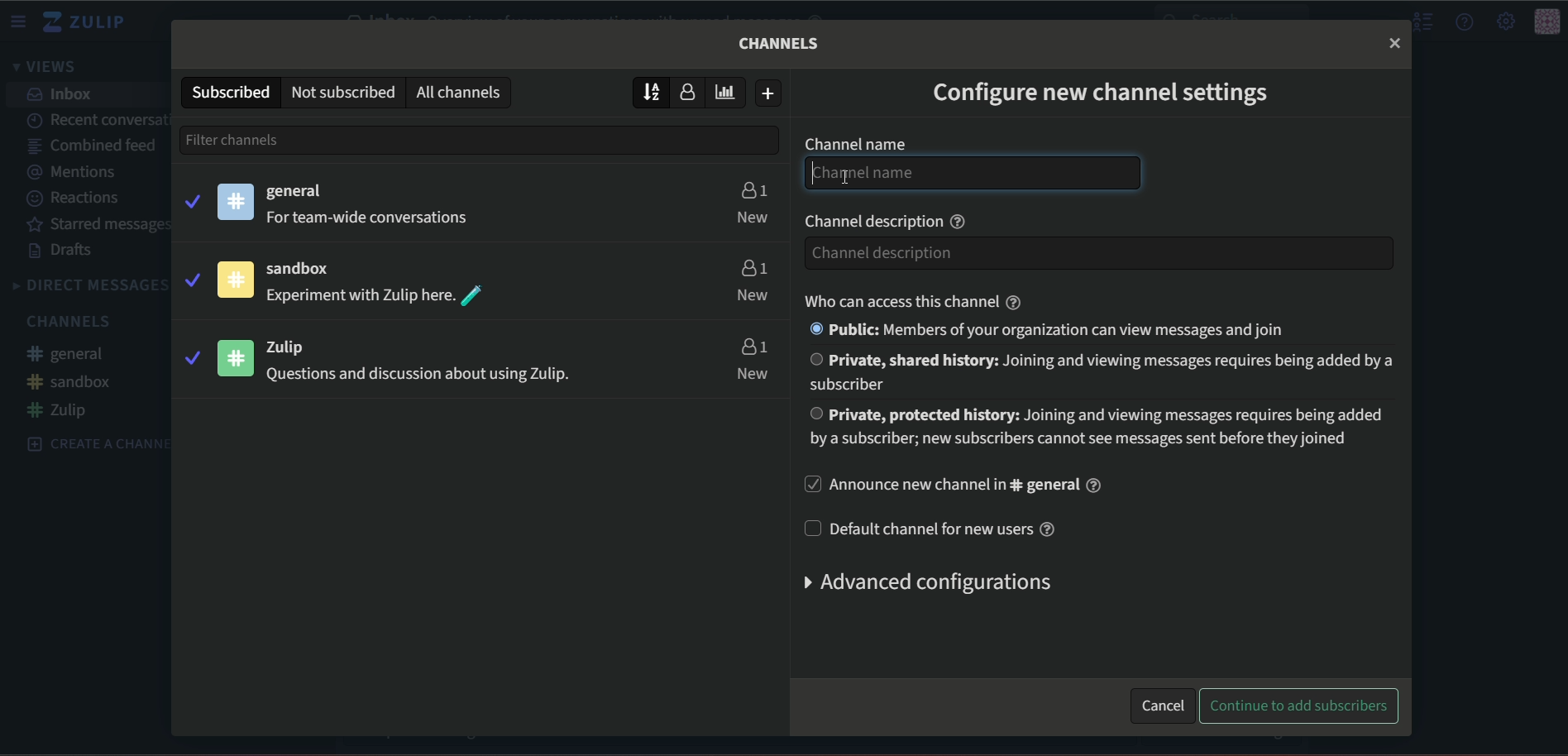  What do you see at coordinates (79, 172) in the screenshot?
I see `Mentions` at bounding box center [79, 172].